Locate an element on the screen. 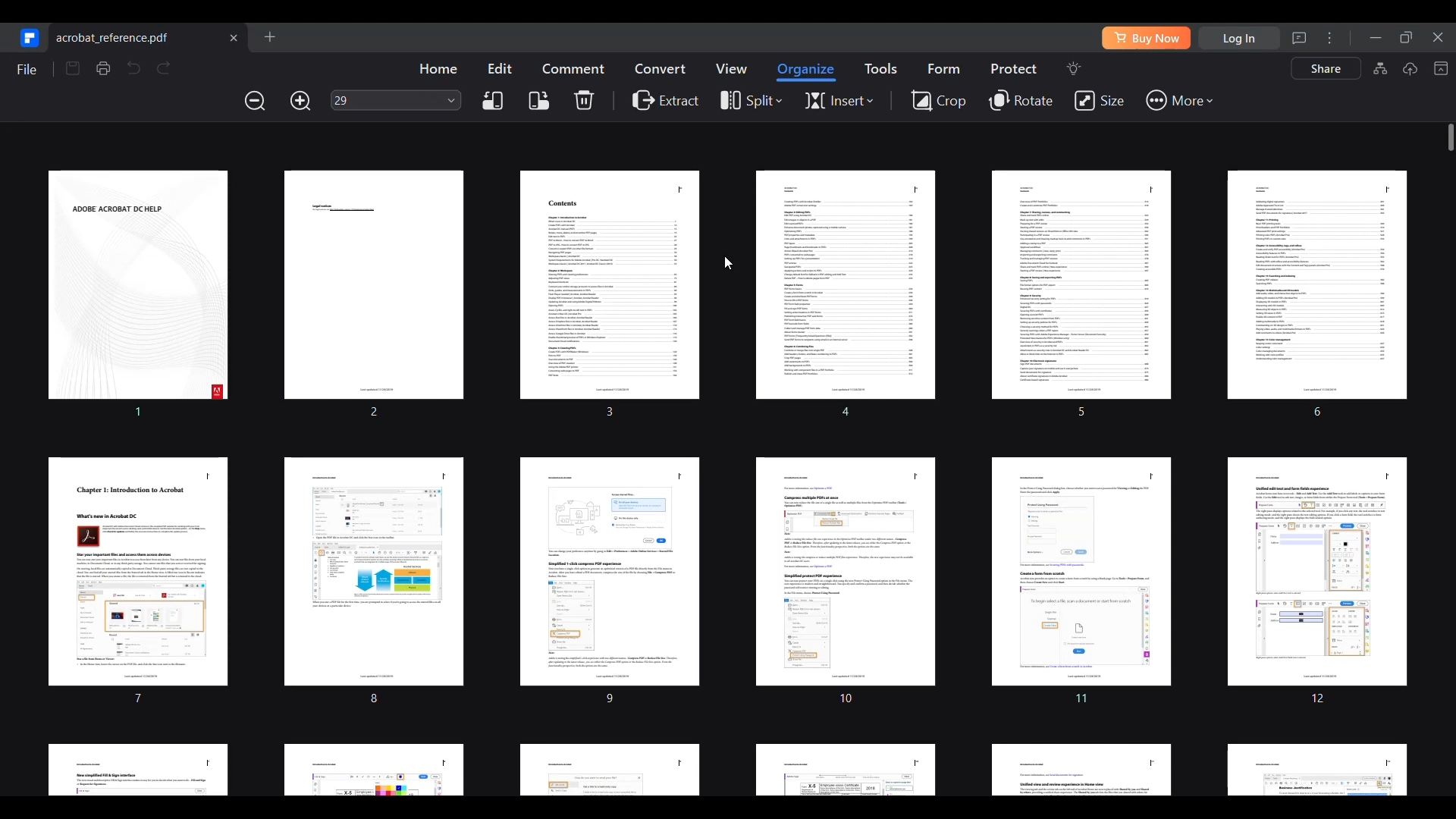 The height and width of the screenshot is (819, 1456). Comment is located at coordinates (573, 68).